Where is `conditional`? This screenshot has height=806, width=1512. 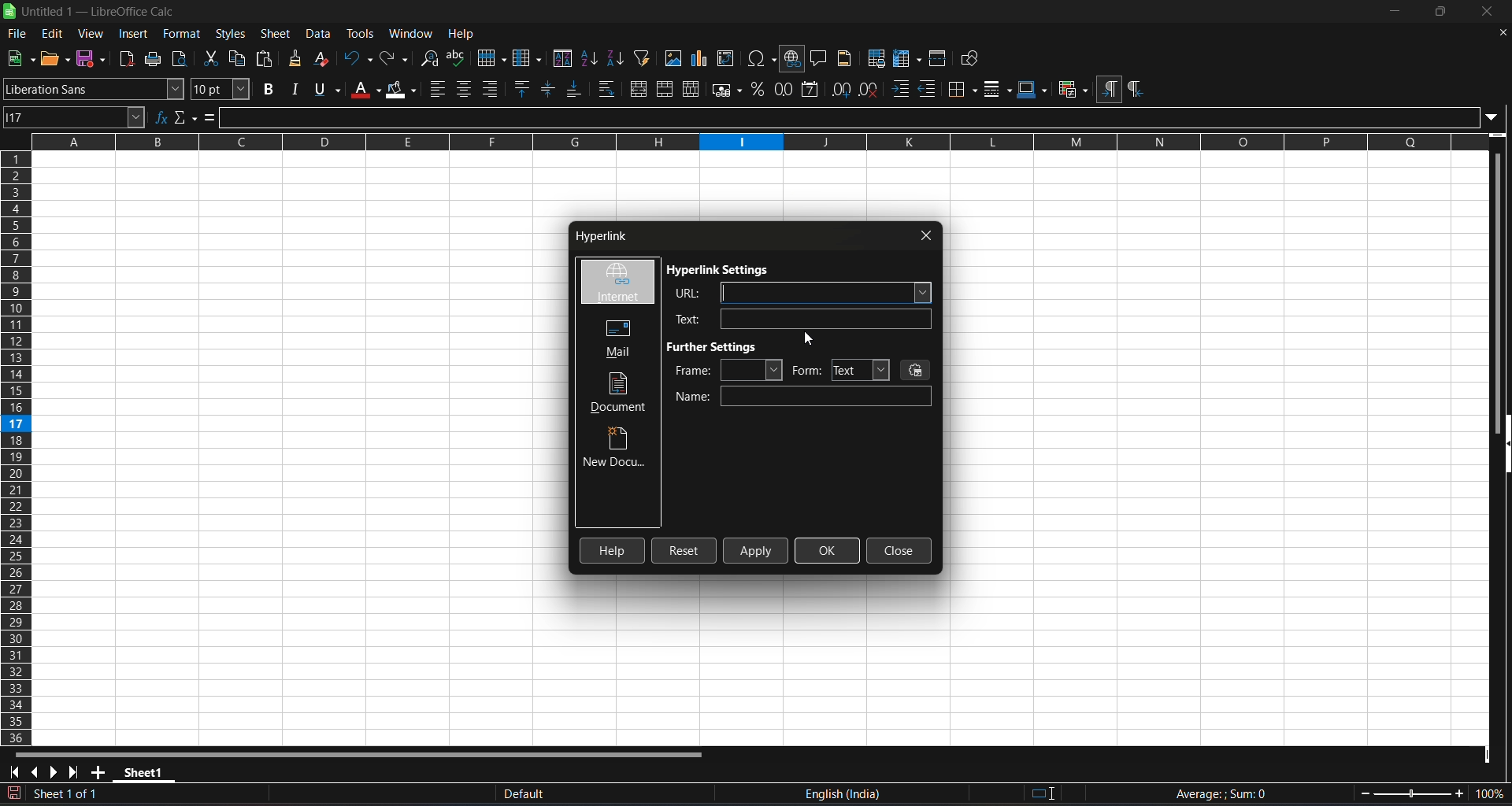 conditional is located at coordinates (1072, 90).